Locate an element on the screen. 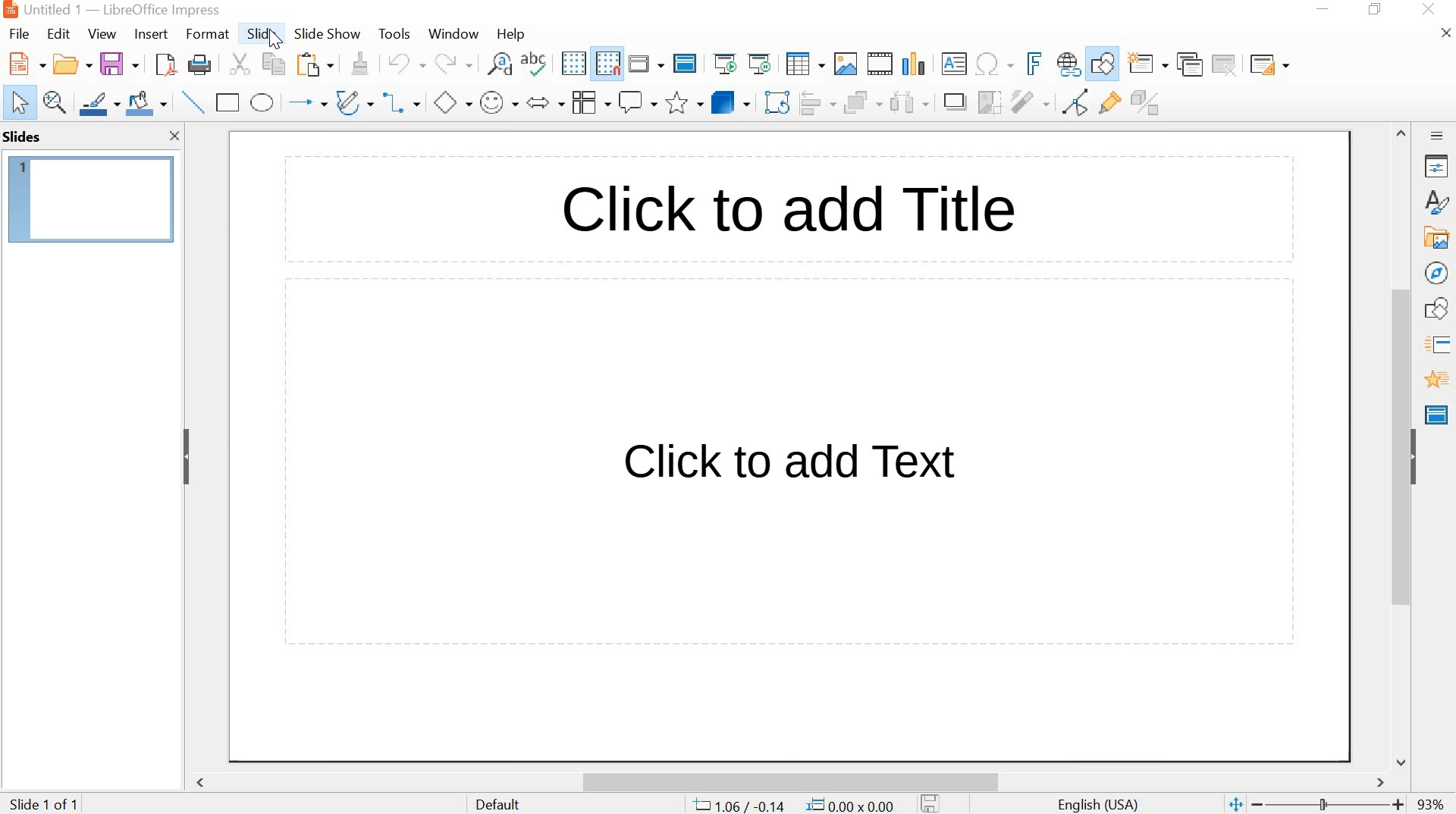 Image resolution: width=1456 pixels, height=814 pixels. Display views is located at coordinates (647, 62).